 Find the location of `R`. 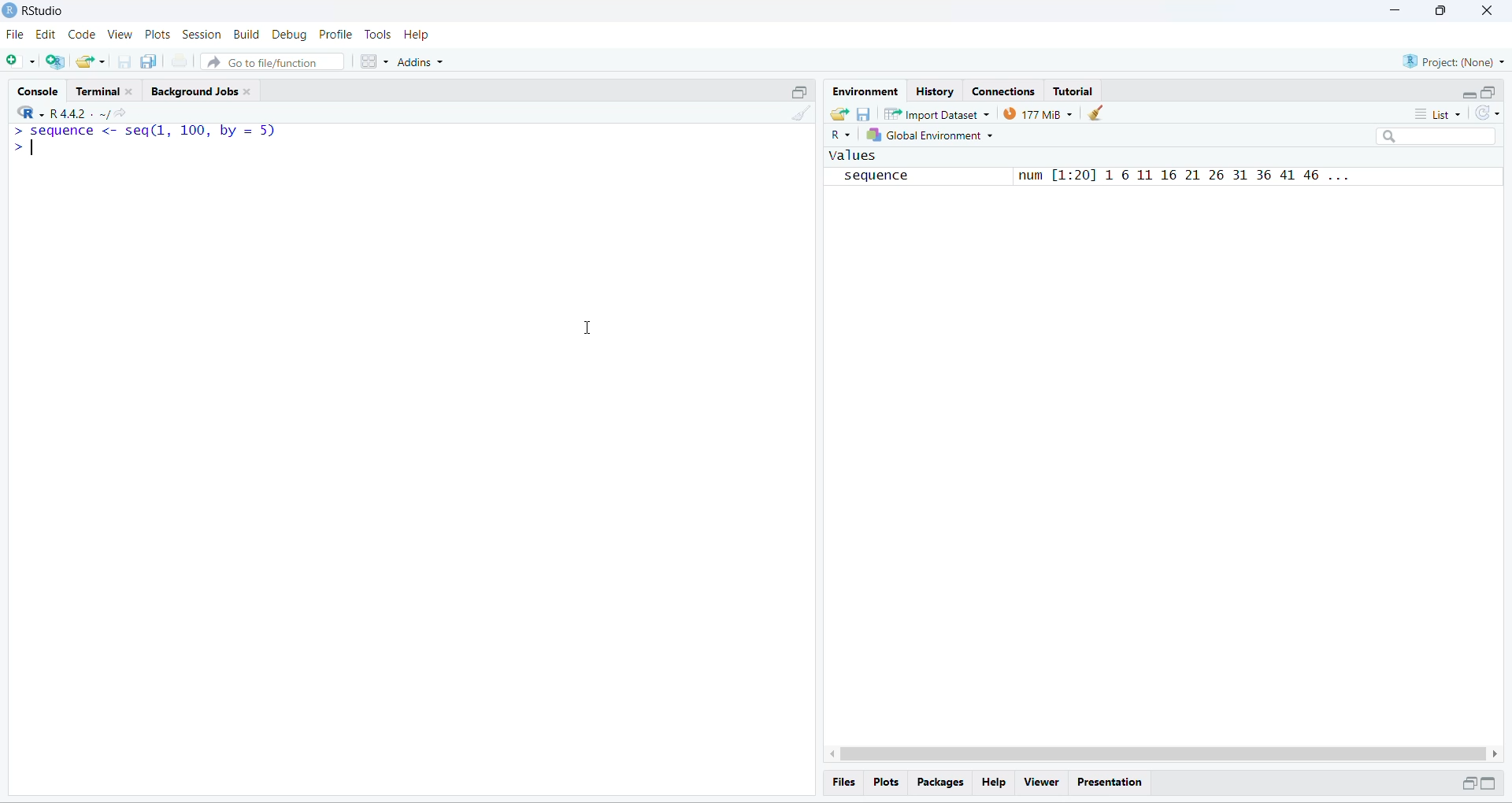

R is located at coordinates (30, 111).